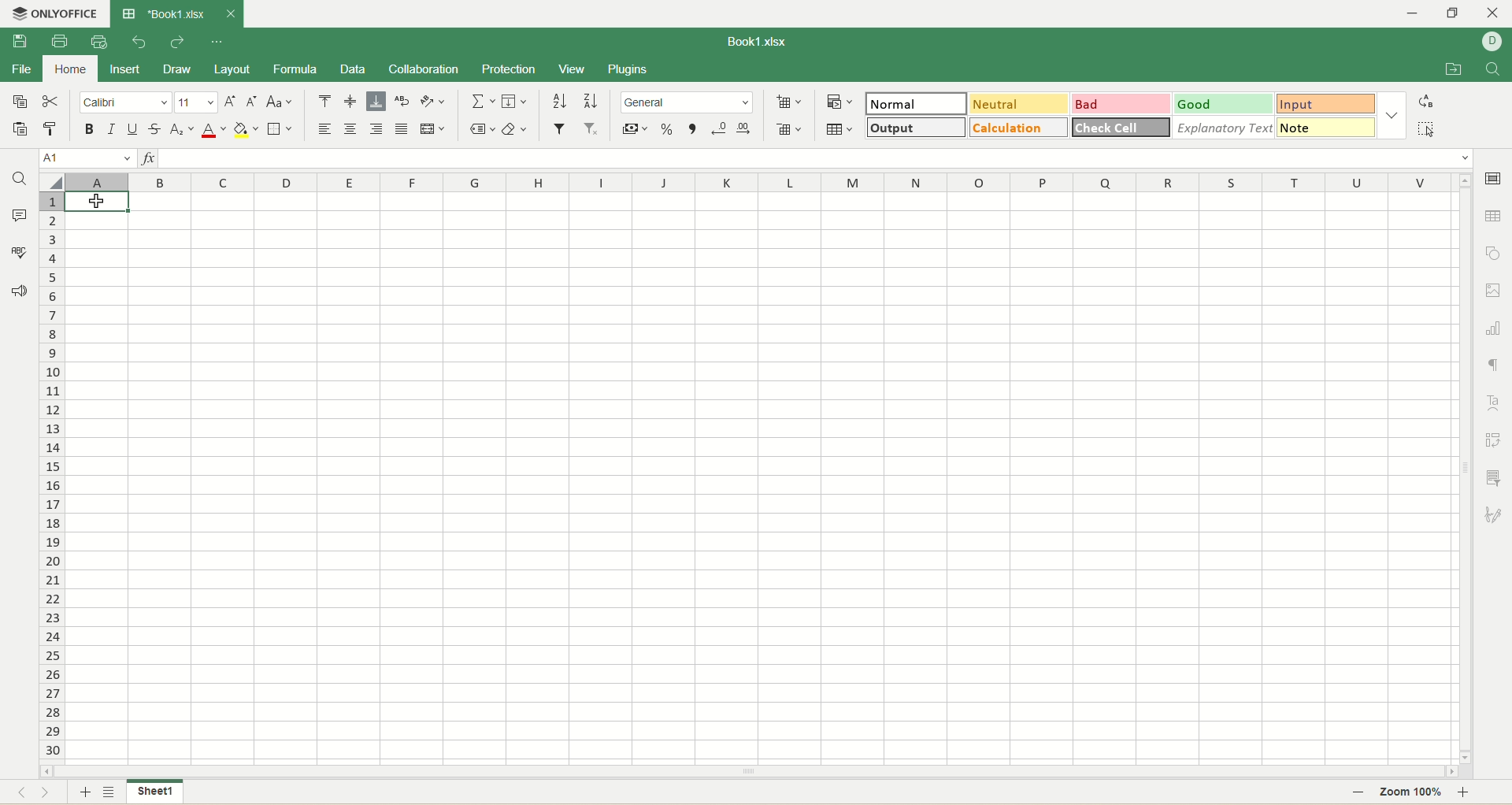 This screenshot has width=1512, height=805. Describe the element at coordinates (183, 129) in the screenshot. I see `subscript` at that location.